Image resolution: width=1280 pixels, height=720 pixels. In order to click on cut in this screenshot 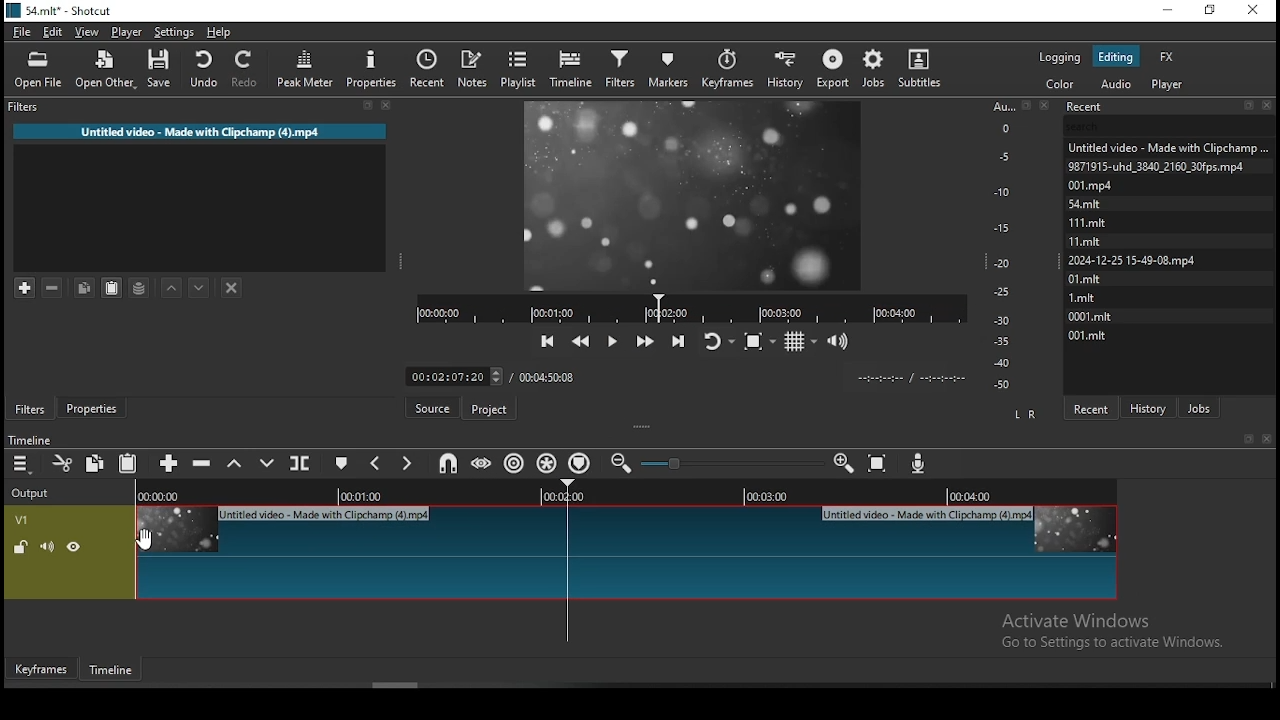, I will do `click(63, 462)`.